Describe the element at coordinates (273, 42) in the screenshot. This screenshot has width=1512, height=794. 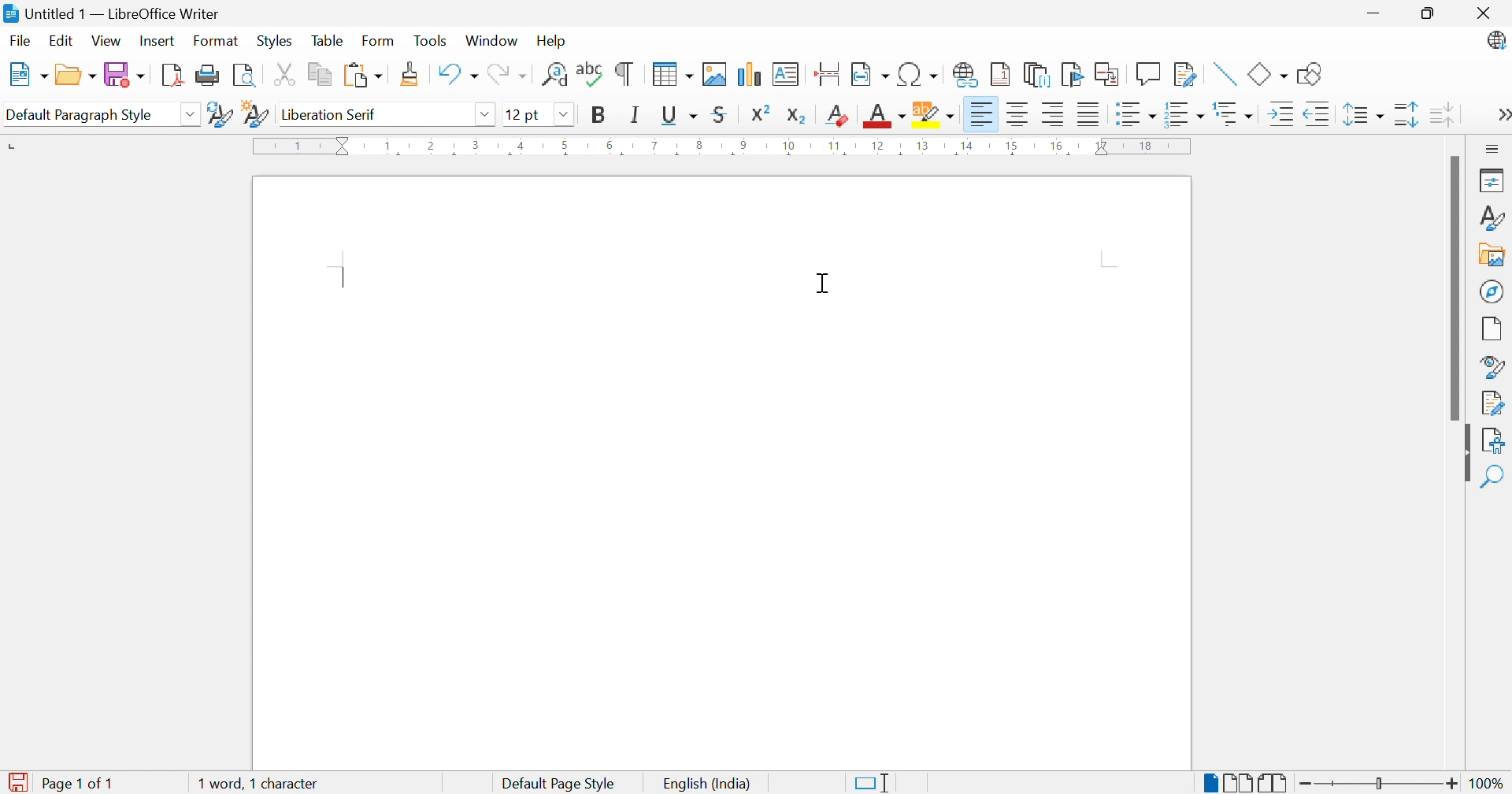
I see `Styles` at that location.